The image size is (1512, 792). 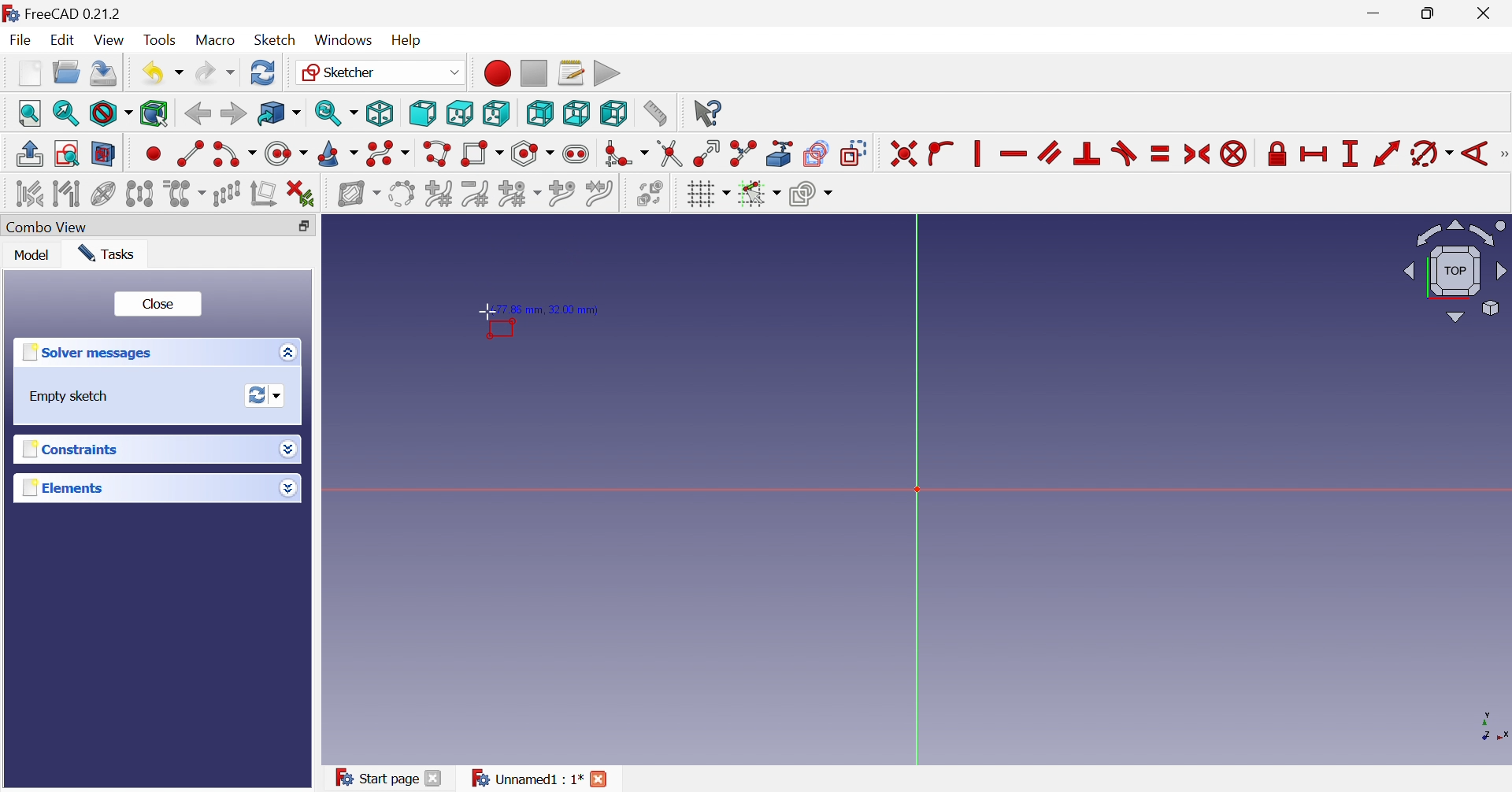 I want to click on Execute macro, so click(x=607, y=74).